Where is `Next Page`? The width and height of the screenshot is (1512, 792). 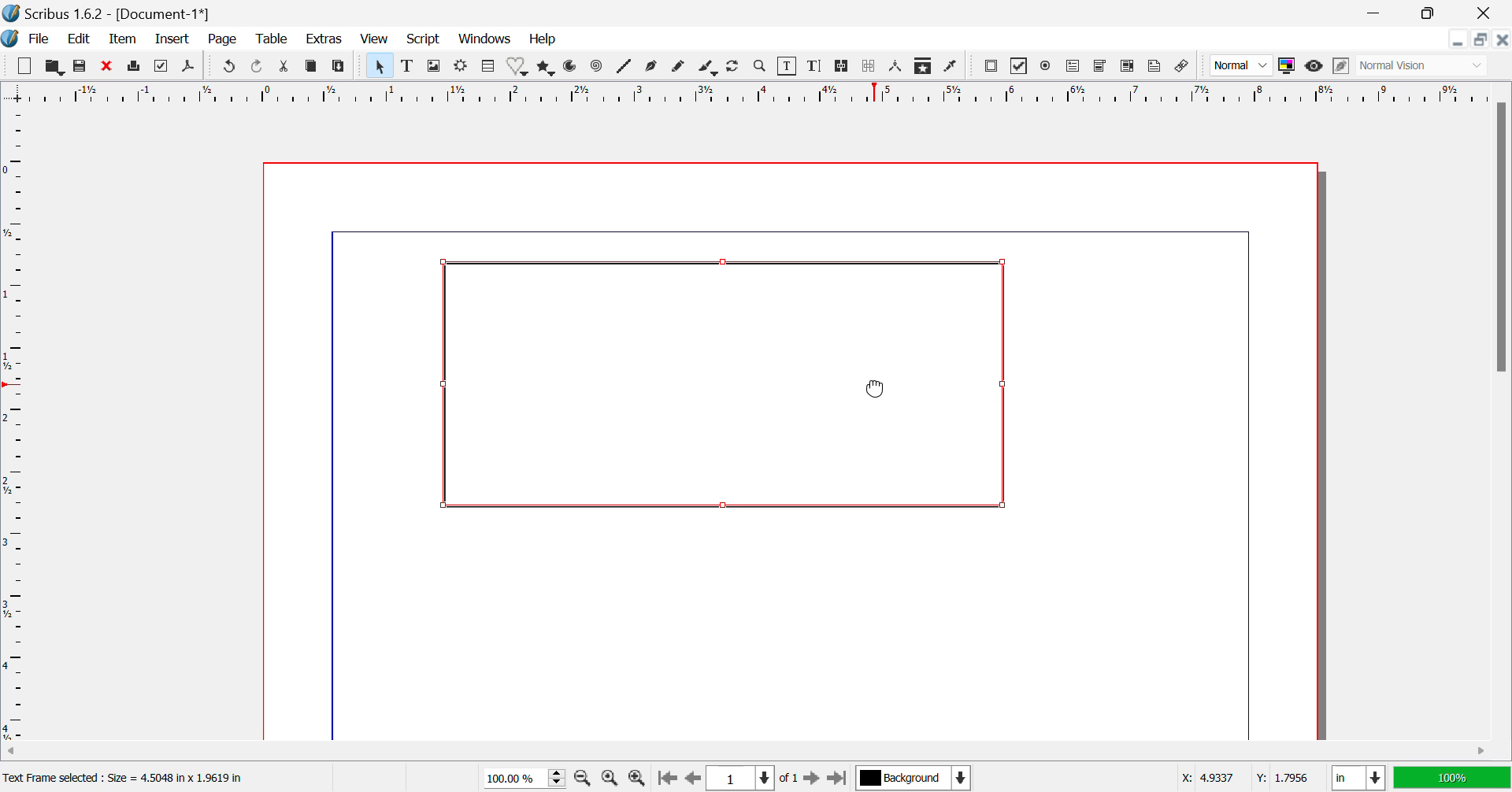
Next Page is located at coordinates (813, 777).